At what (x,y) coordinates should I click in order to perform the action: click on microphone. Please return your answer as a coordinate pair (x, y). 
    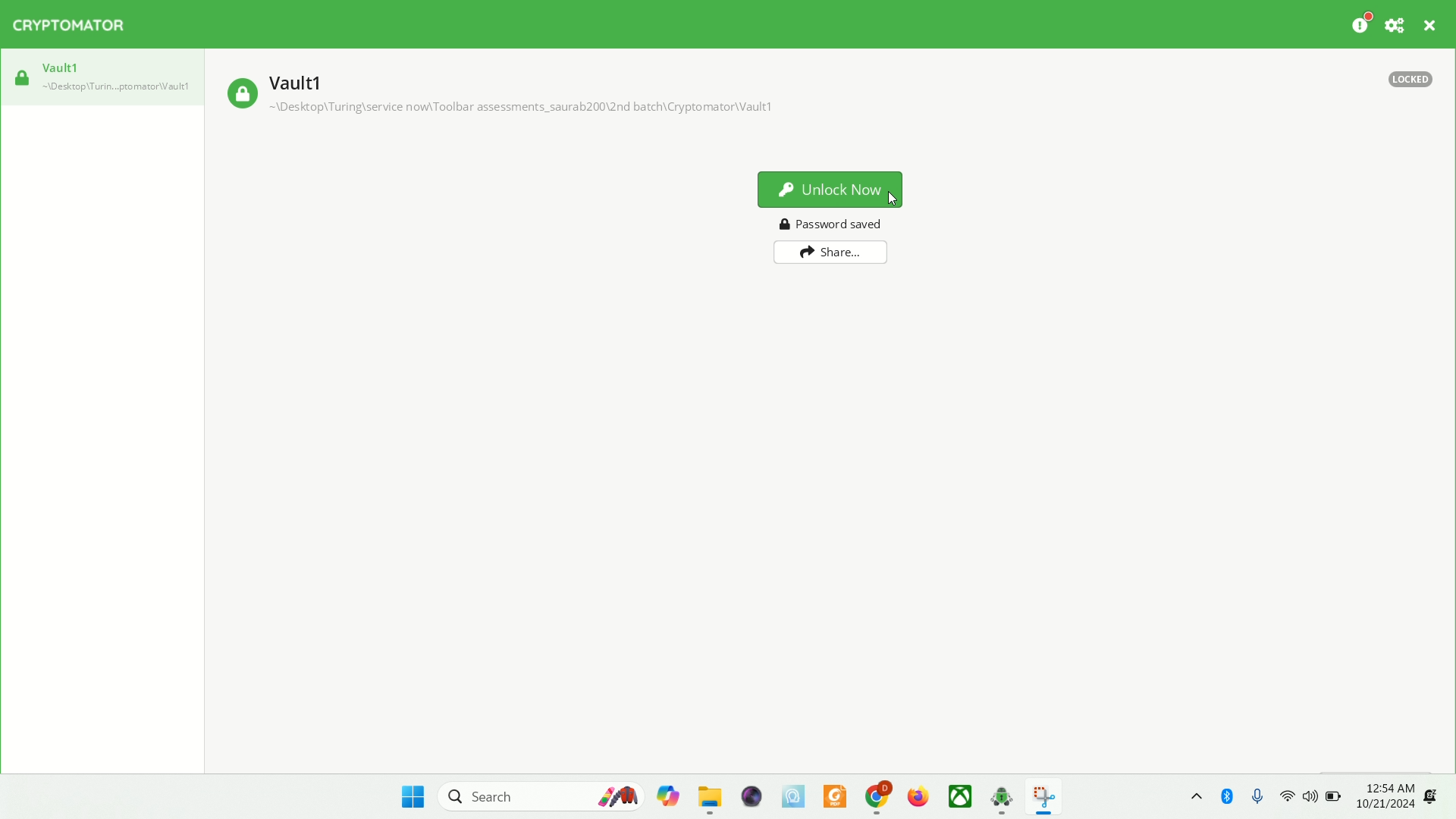
    Looking at the image, I should click on (1262, 795).